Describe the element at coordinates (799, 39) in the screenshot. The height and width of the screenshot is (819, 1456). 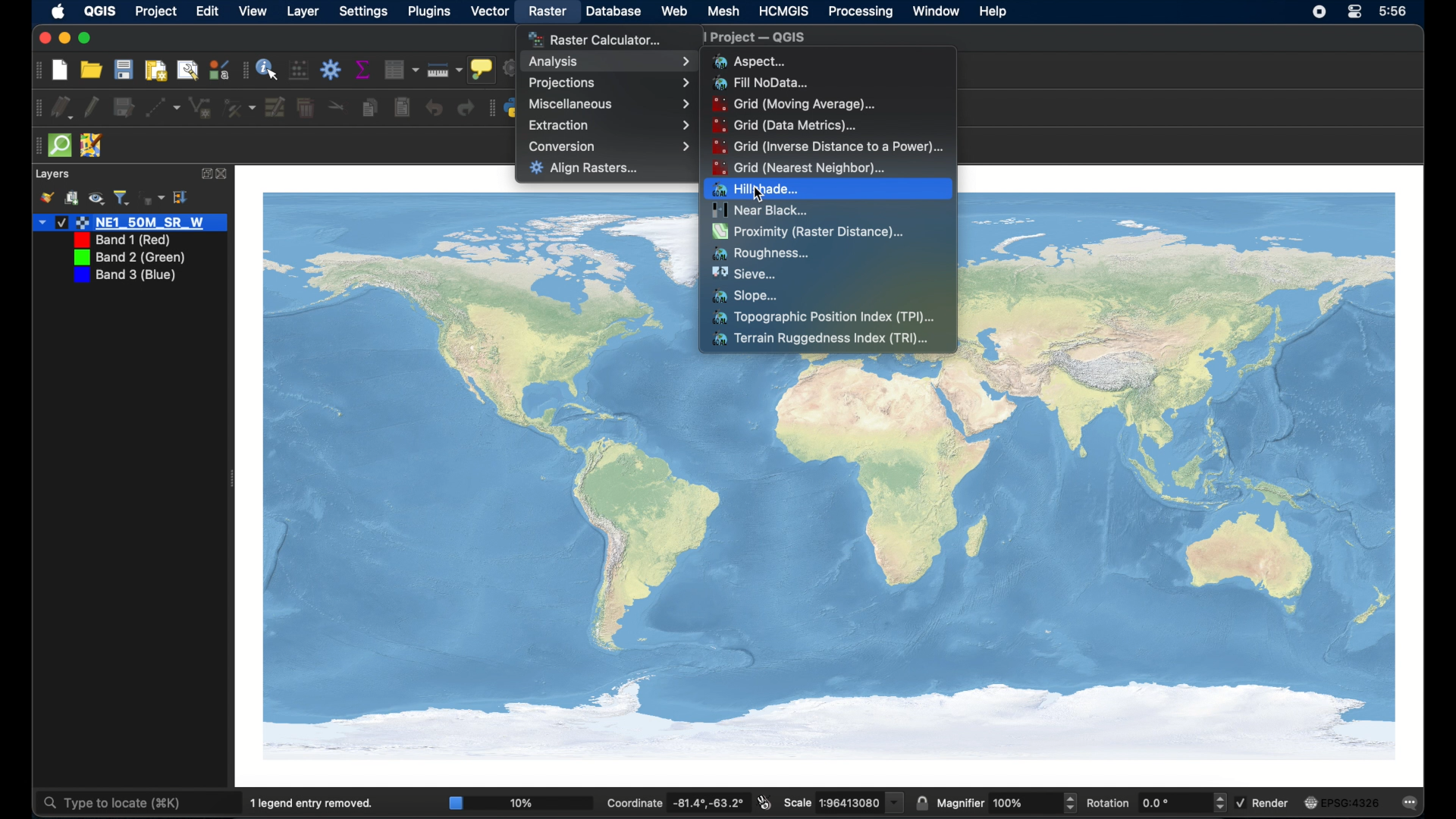
I see `Project - QGIS` at that location.